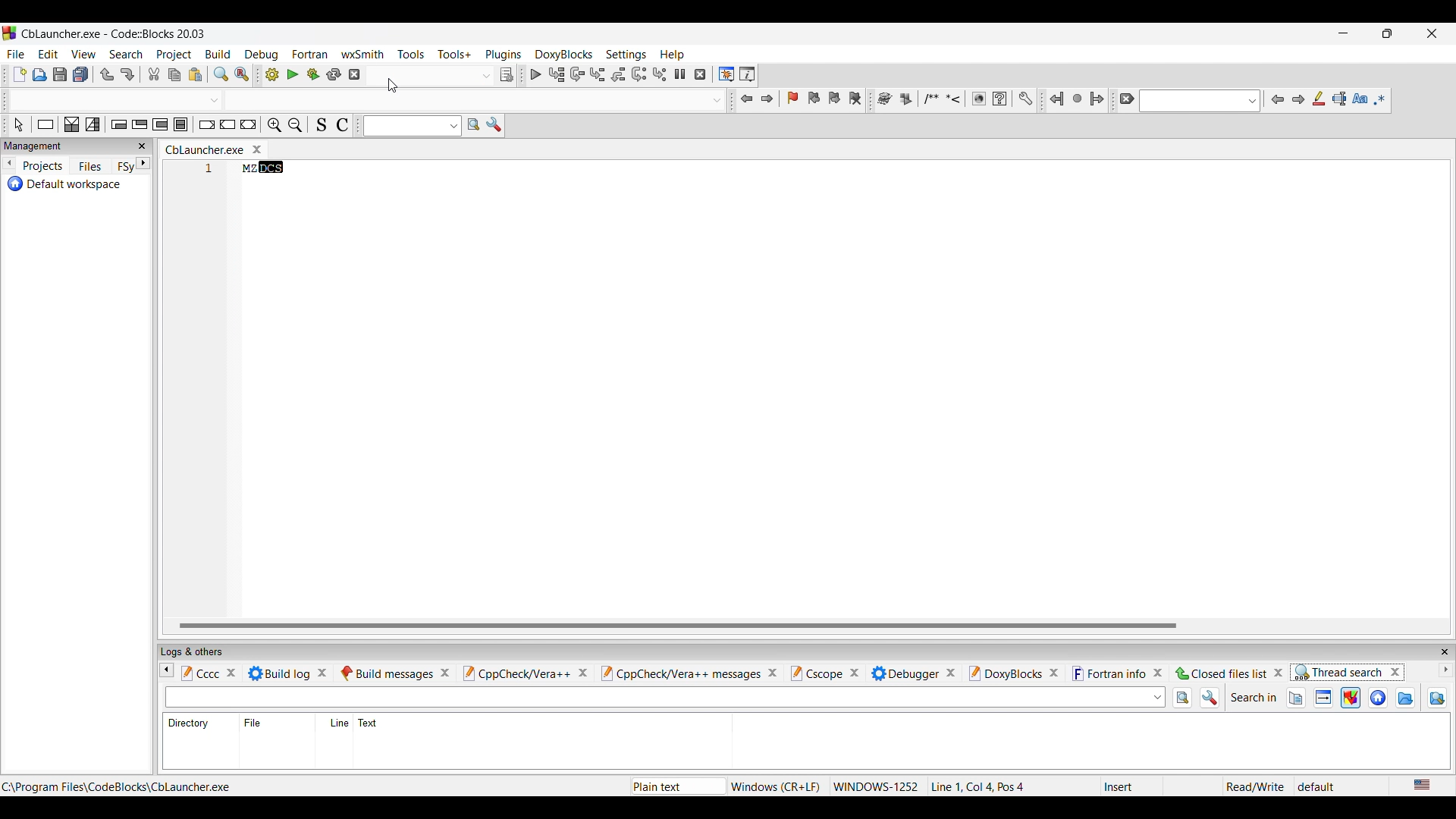 Image resolution: width=1456 pixels, height=819 pixels. I want to click on Find, so click(221, 74).